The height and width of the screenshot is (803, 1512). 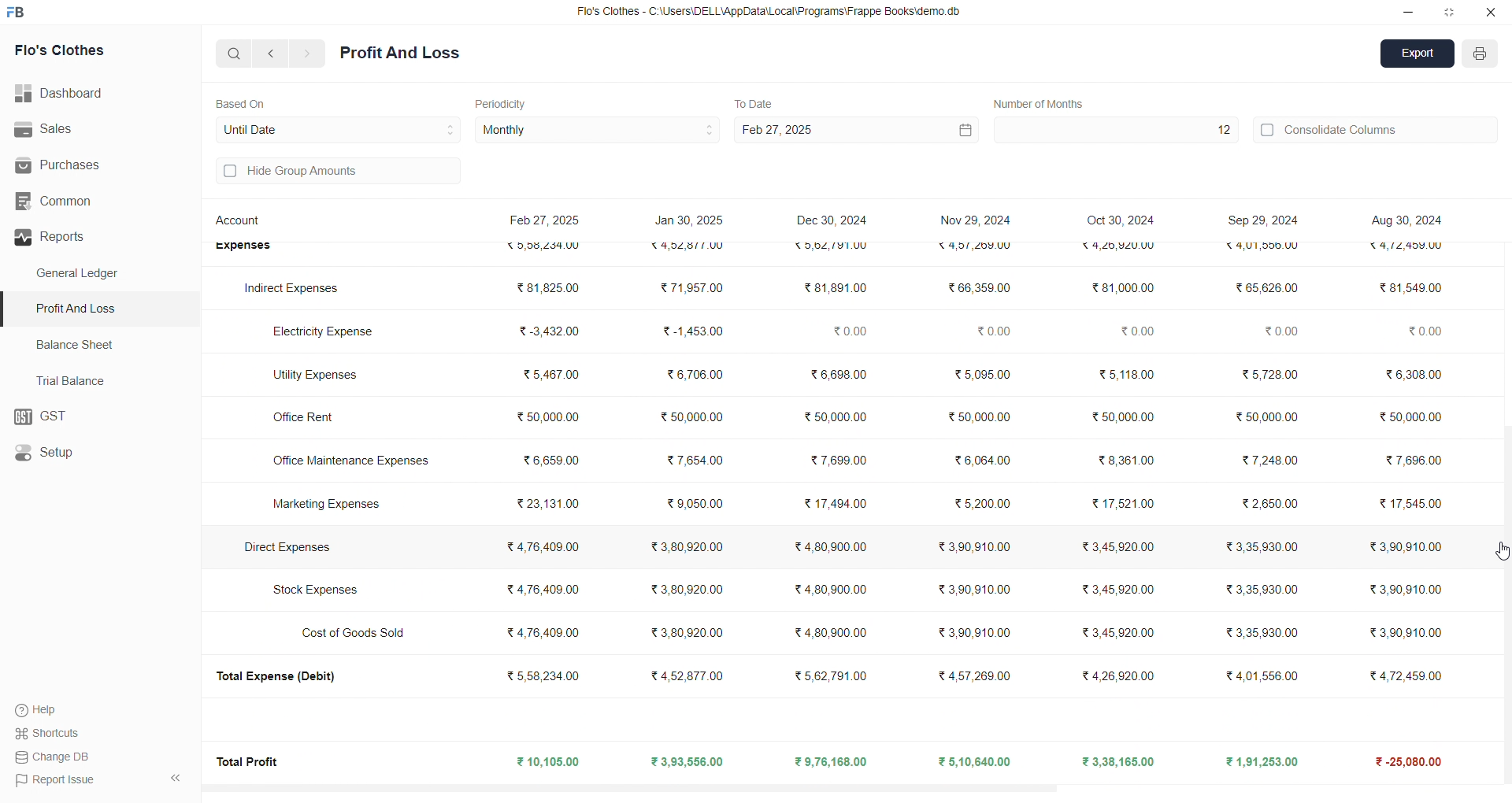 What do you see at coordinates (1409, 250) in the screenshot?
I see `€4,72,459.00` at bounding box center [1409, 250].